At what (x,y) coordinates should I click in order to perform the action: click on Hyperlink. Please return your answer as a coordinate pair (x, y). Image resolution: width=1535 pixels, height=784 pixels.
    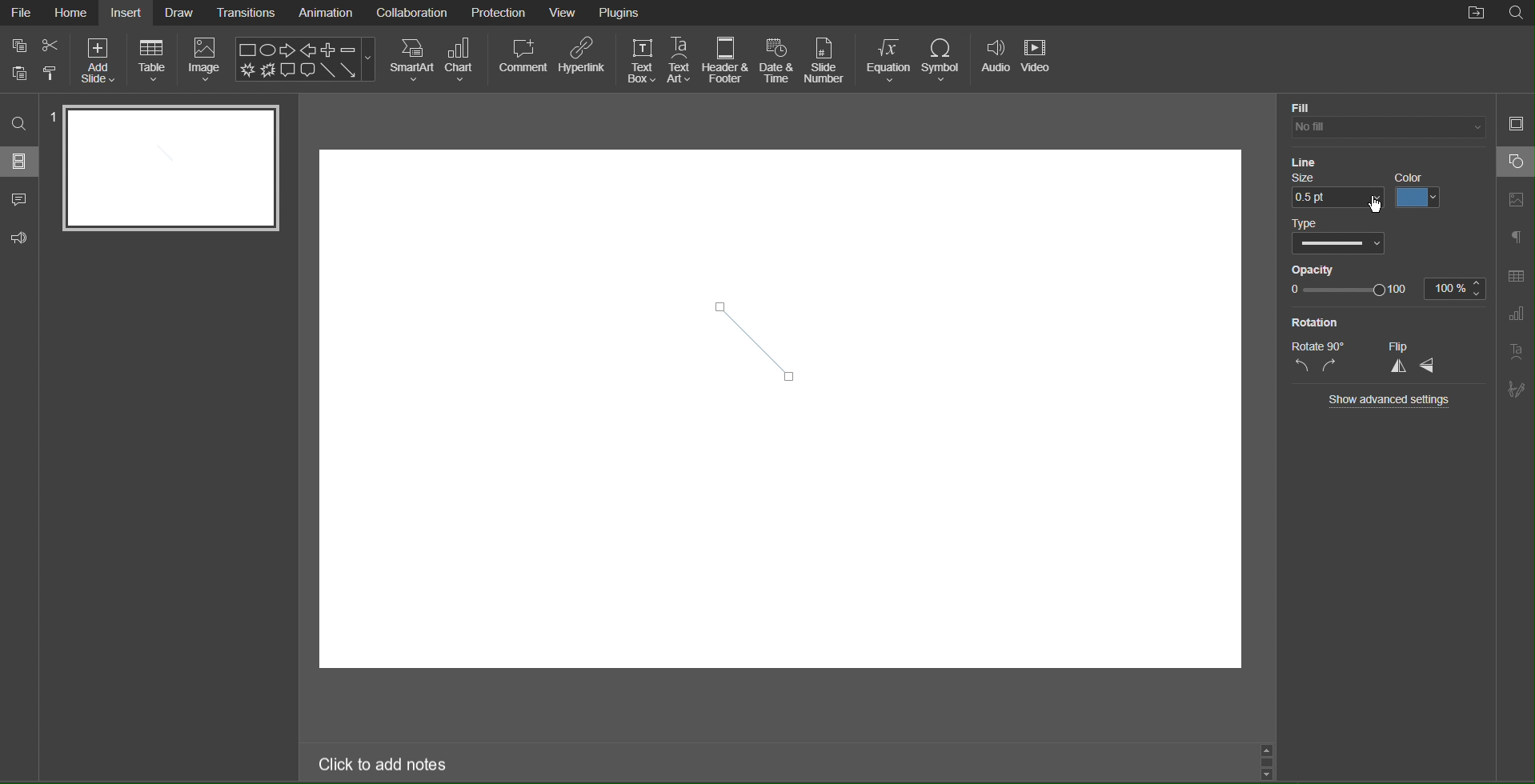
    Looking at the image, I should click on (582, 61).